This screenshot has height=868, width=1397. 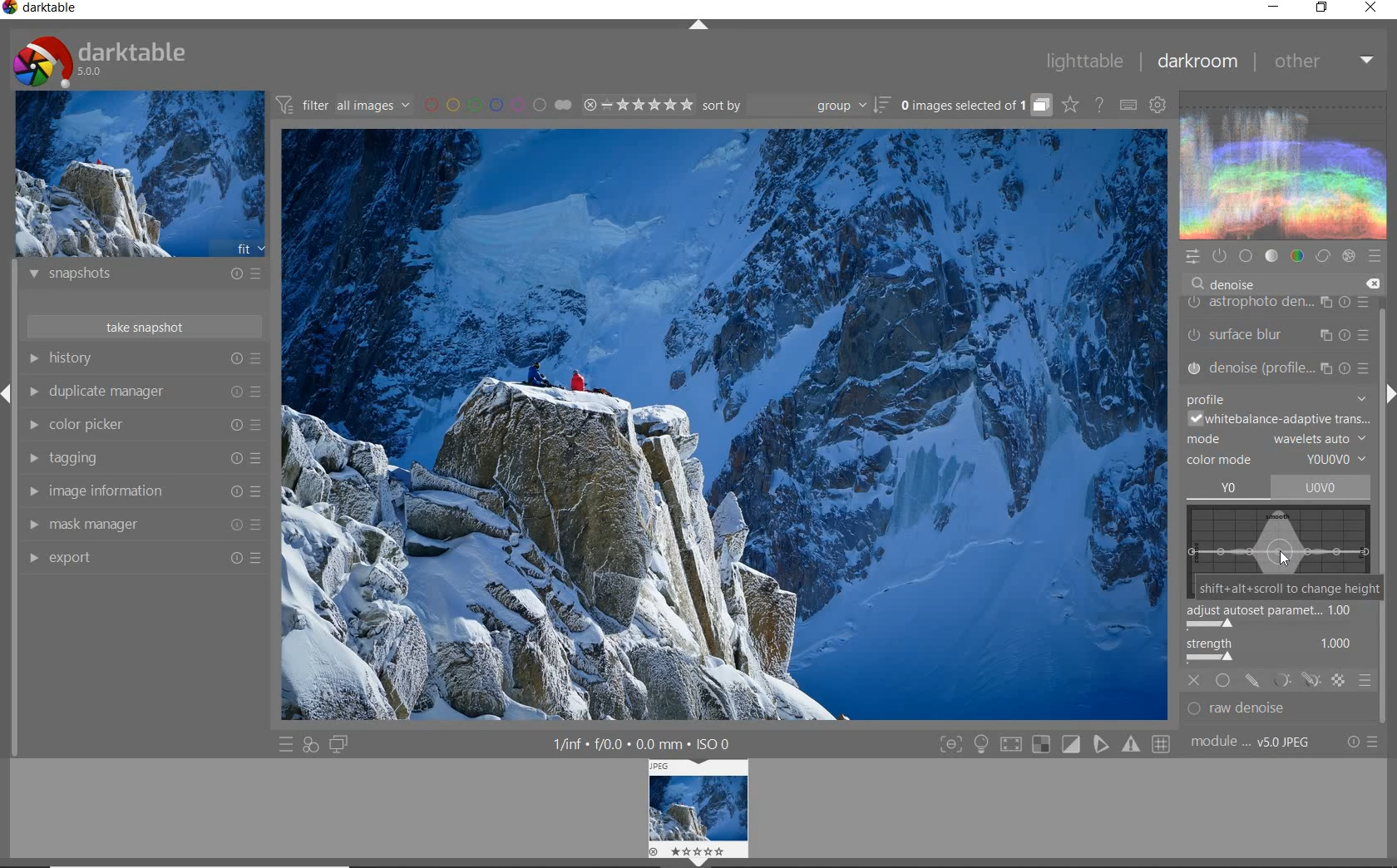 What do you see at coordinates (1246, 255) in the screenshot?
I see `base` at bounding box center [1246, 255].